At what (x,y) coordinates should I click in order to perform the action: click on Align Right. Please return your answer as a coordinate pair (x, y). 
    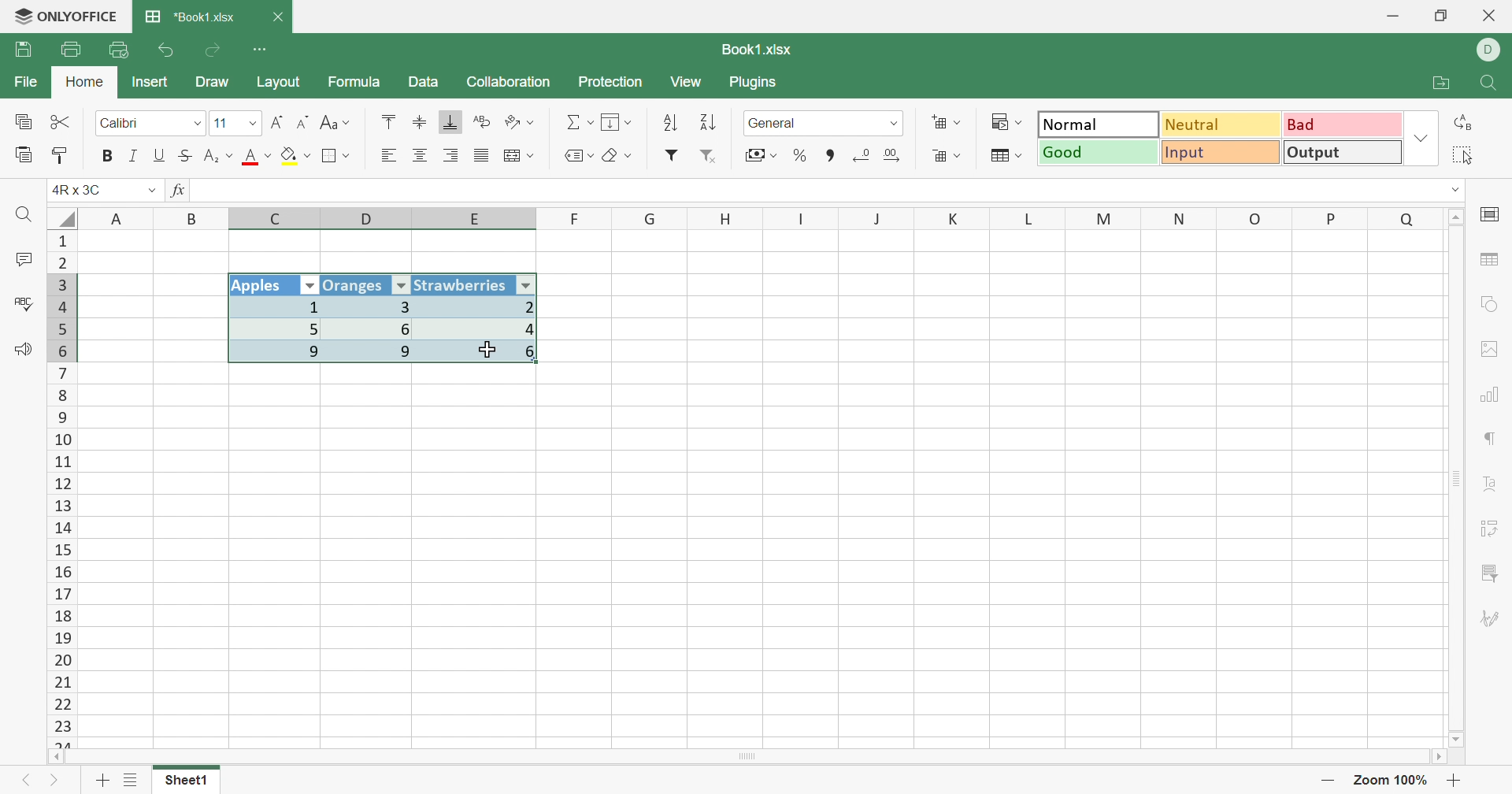
    Looking at the image, I should click on (388, 155).